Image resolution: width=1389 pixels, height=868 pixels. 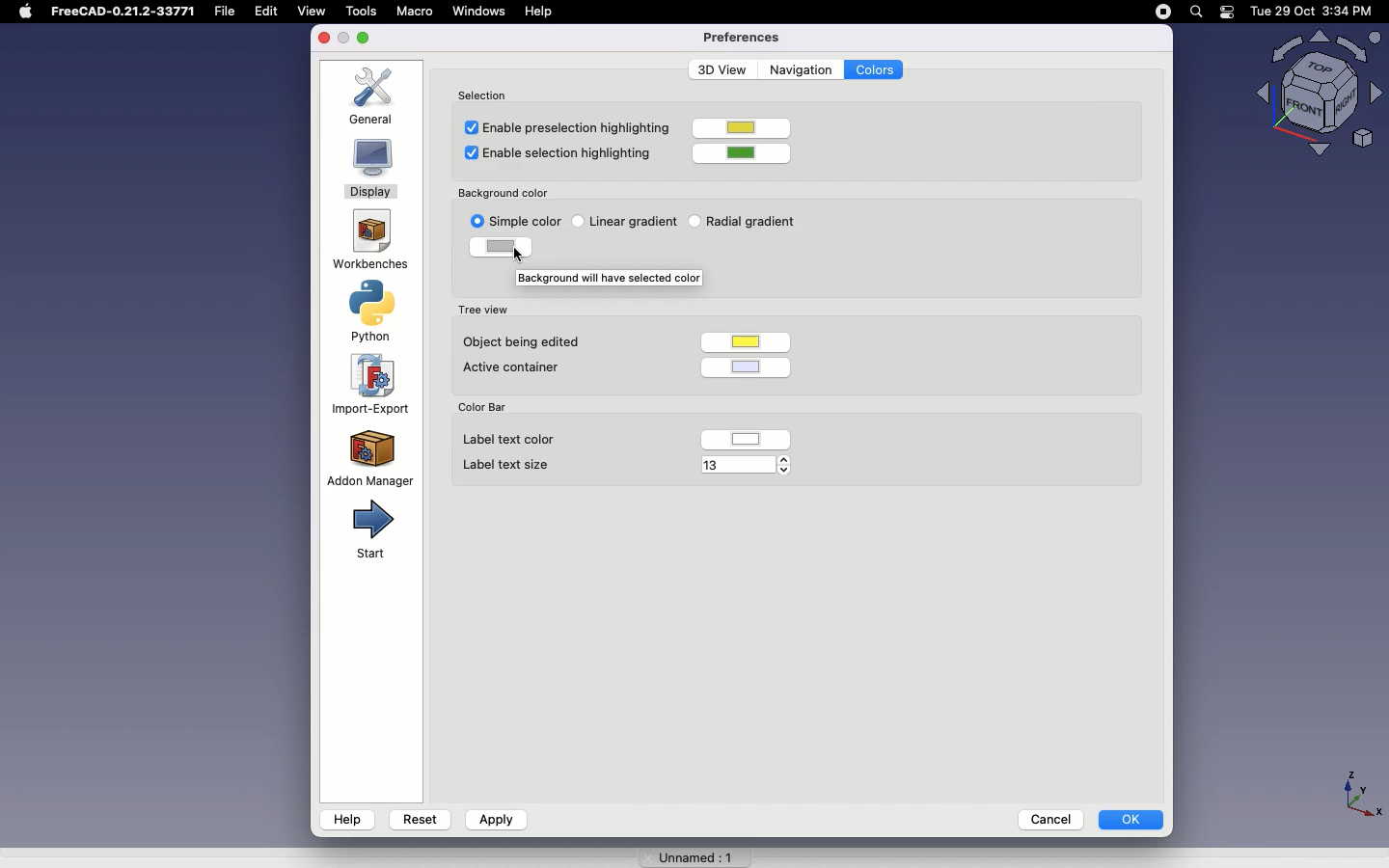 What do you see at coordinates (688, 854) in the screenshot?
I see `Unnamed 1` at bounding box center [688, 854].